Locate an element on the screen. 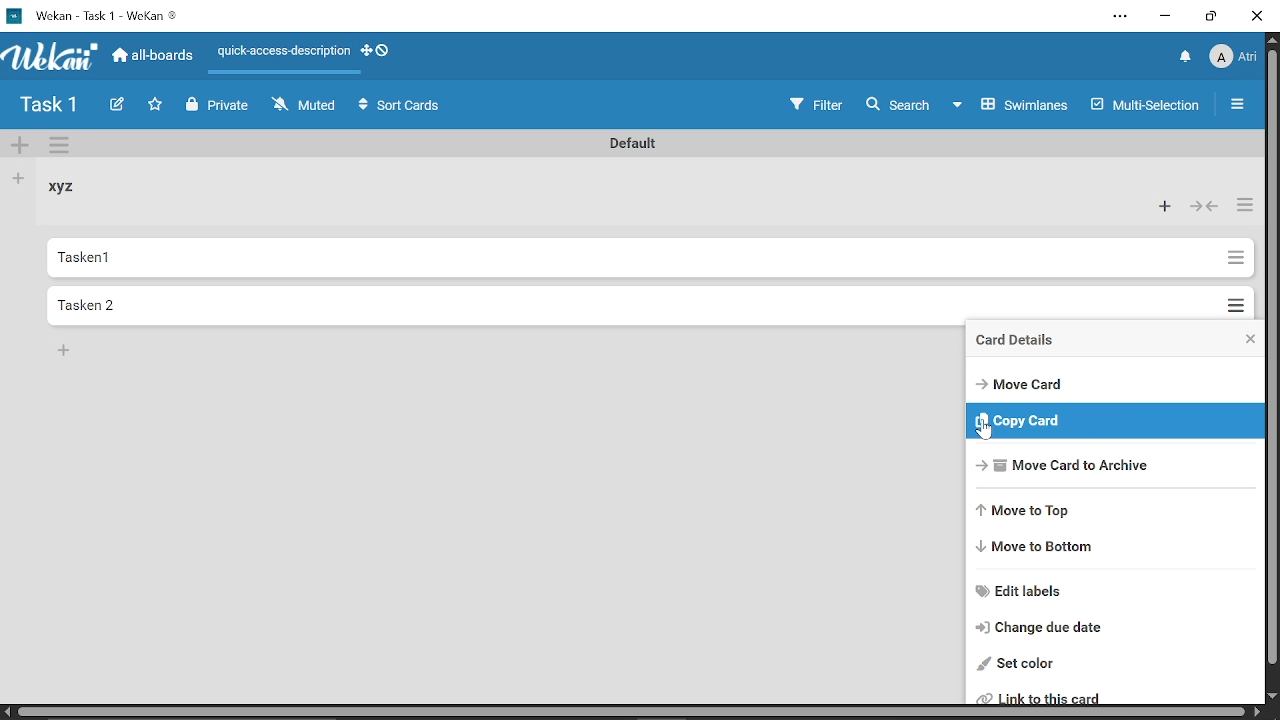 This screenshot has width=1280, height=720. Change due date is located at coordinates (1116, 629).